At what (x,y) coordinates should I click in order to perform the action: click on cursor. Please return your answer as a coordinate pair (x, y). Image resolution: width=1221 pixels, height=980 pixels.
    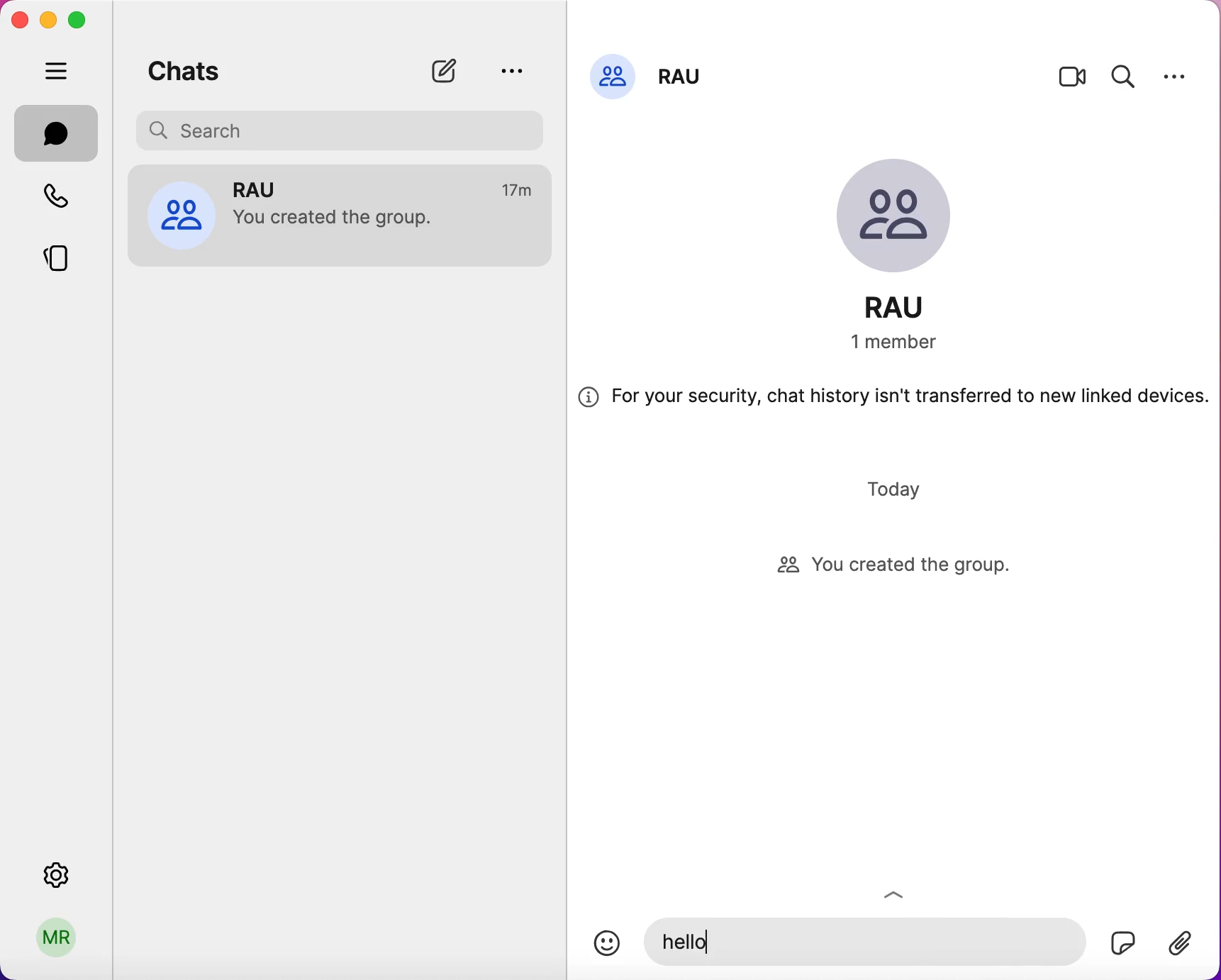
    Looking at the image, I should click on (708, 942).